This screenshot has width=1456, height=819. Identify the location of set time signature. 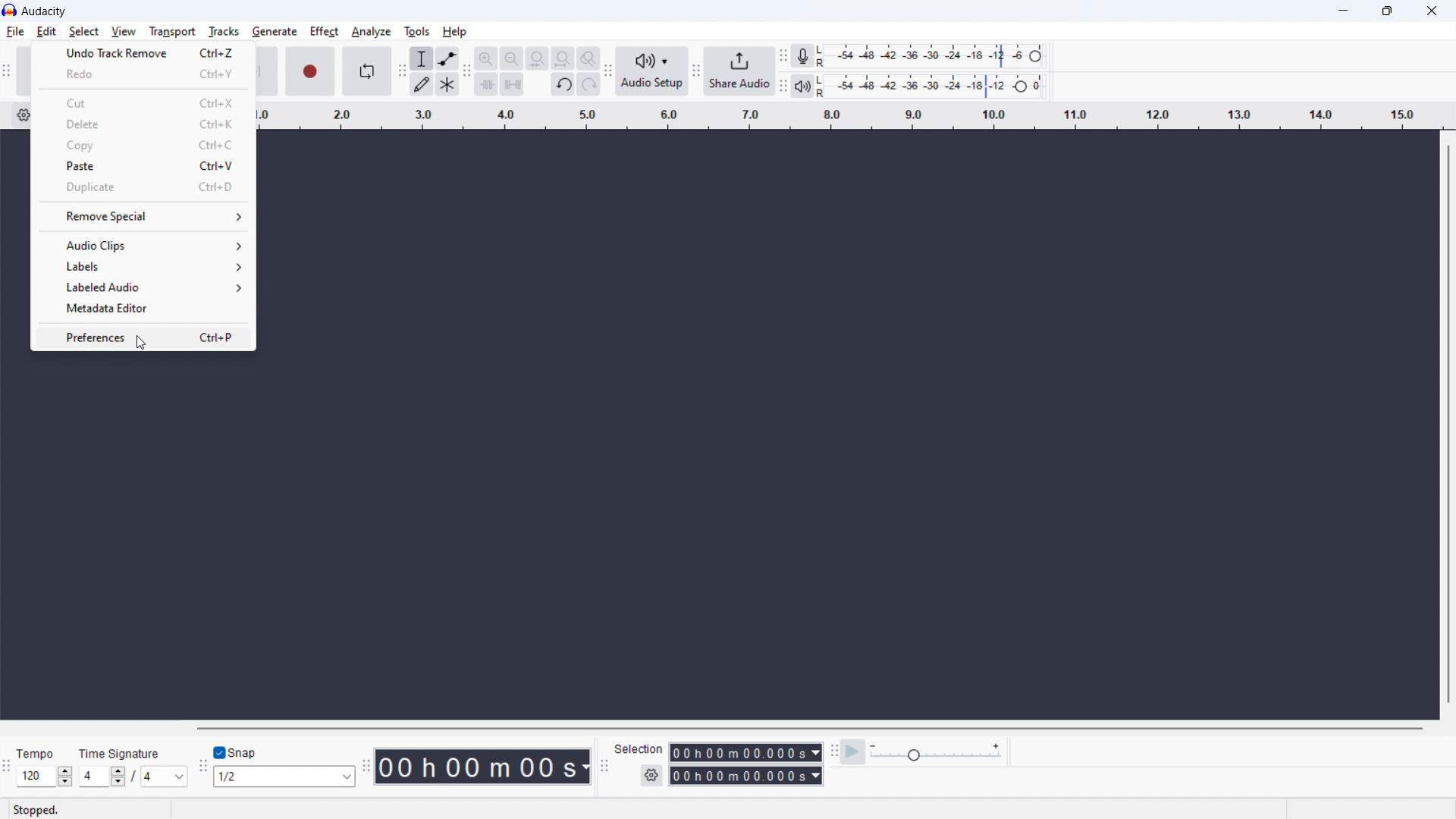
(165, 777).